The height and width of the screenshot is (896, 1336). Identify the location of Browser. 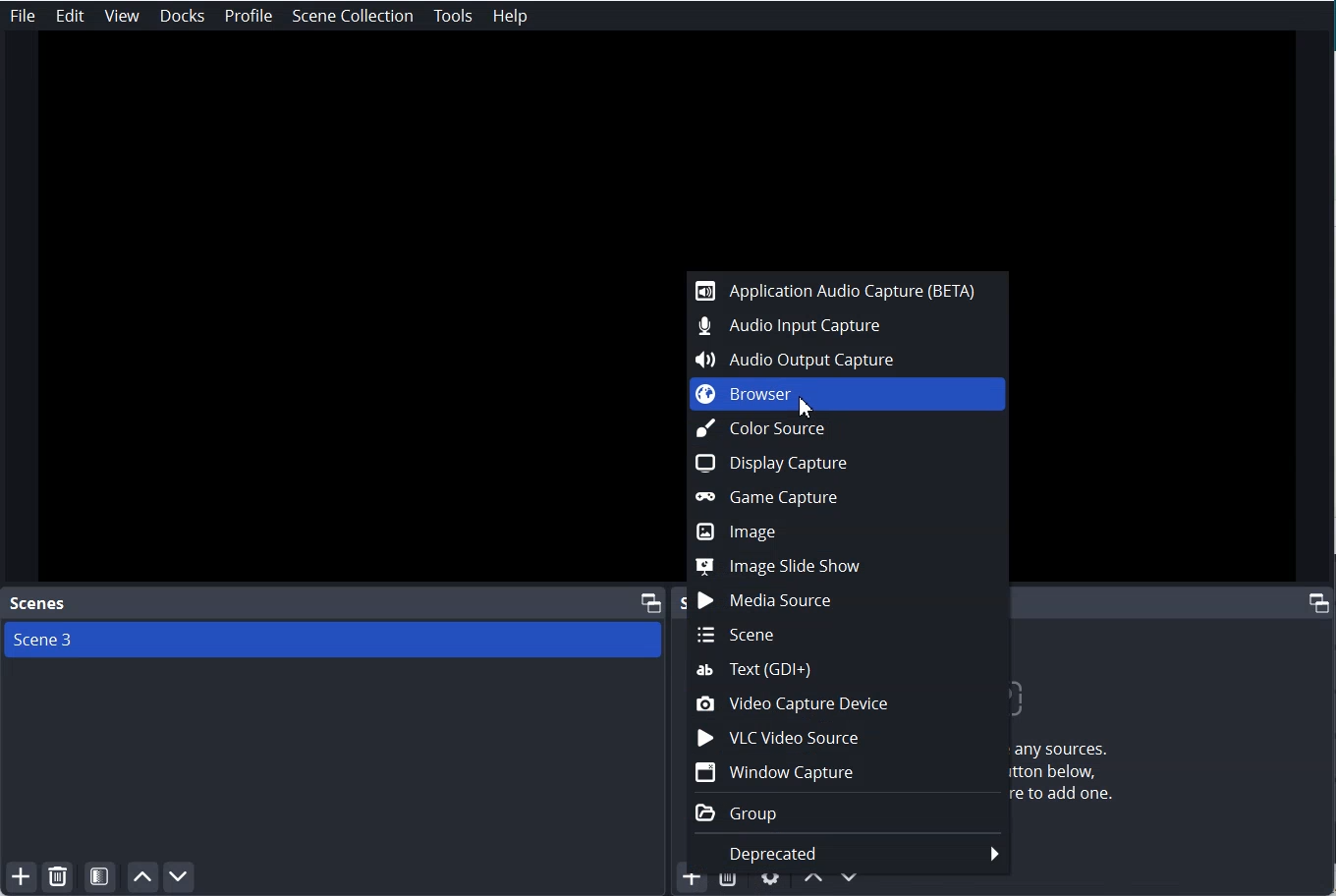
(848, 395).